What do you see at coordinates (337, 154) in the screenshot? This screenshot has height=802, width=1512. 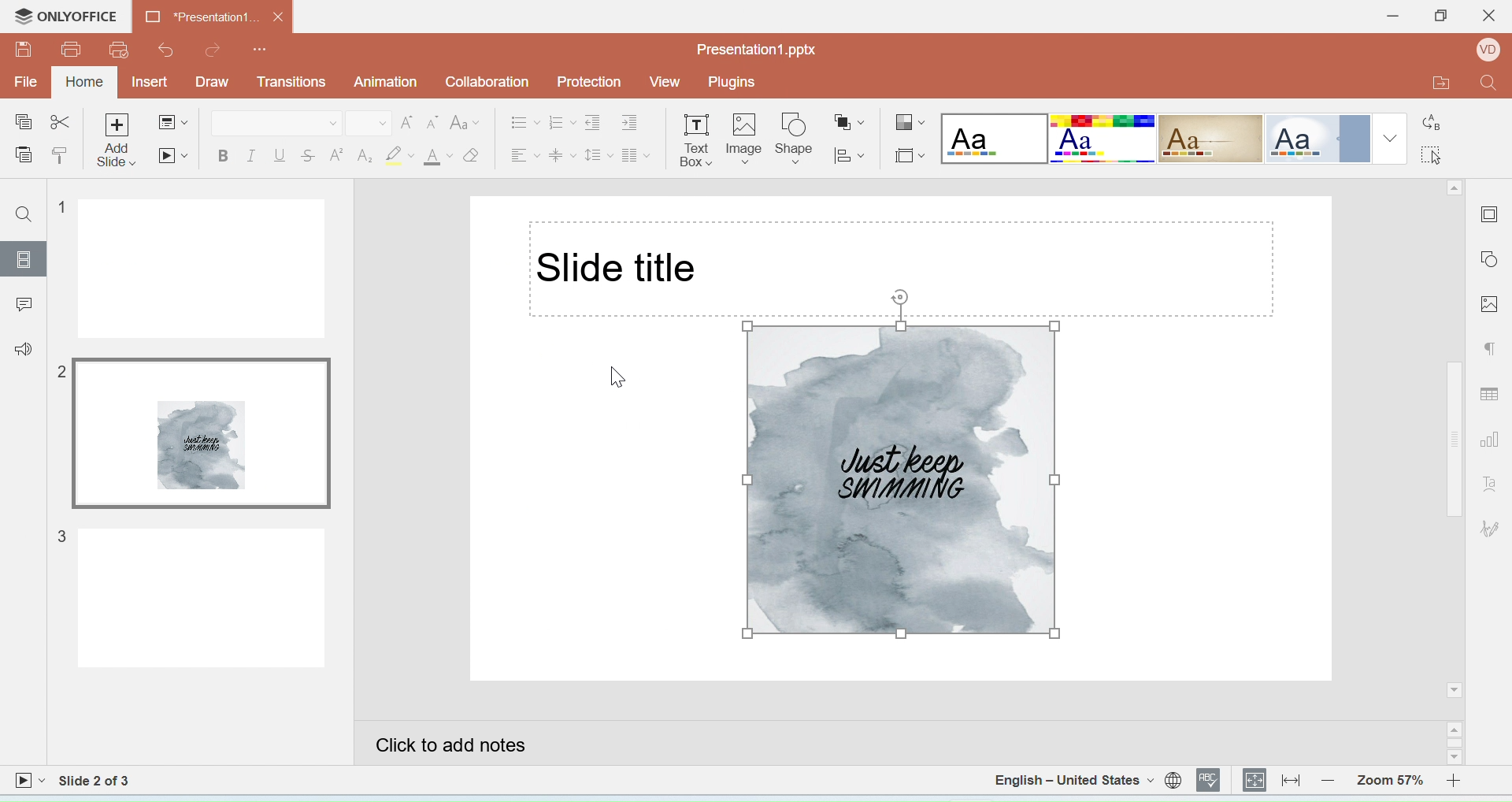 I see `Superscript` at bounding box center [337, 154].